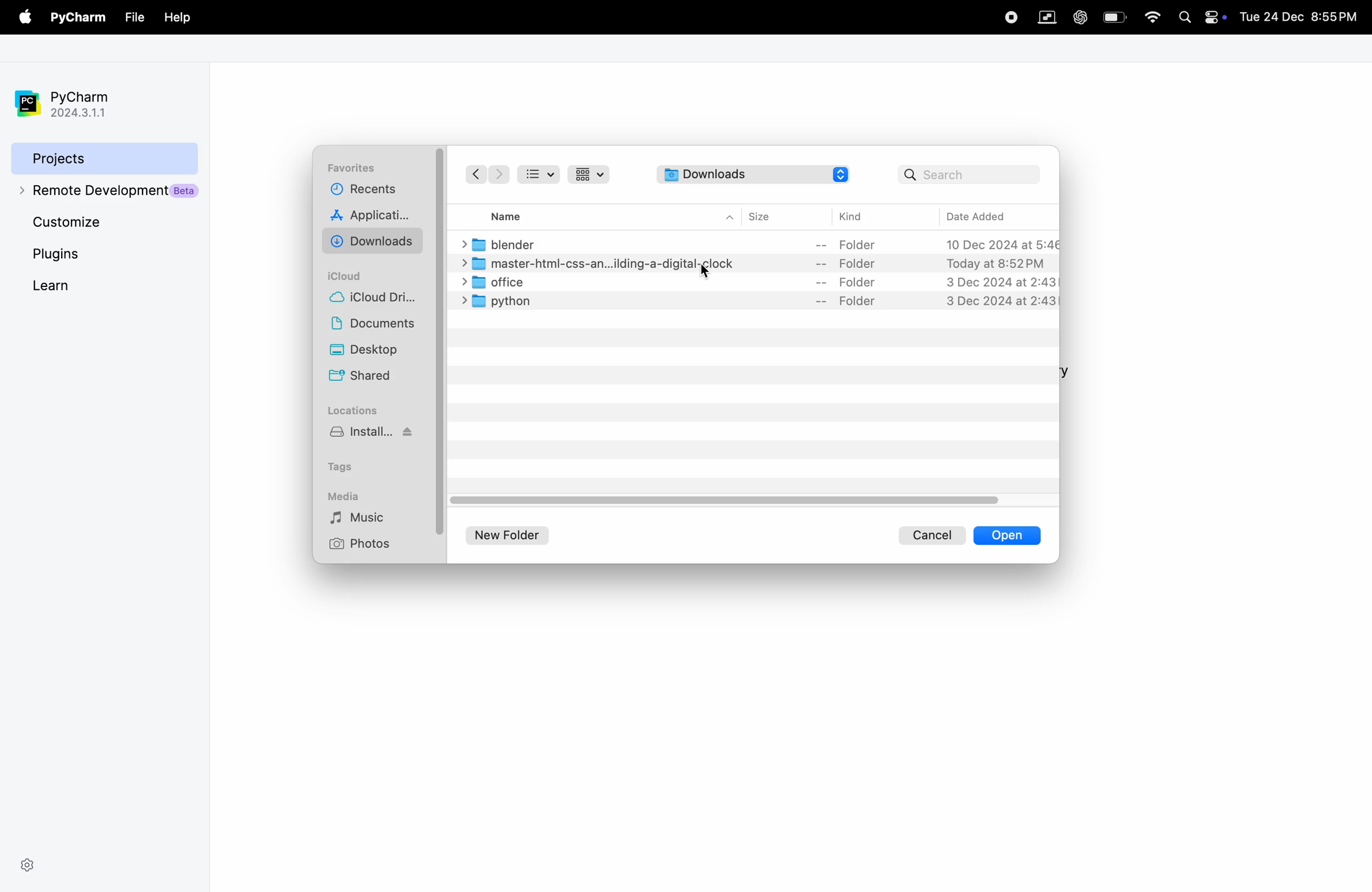 Image resolution: width=1372 pixels, height=892 pixels. What do you see at coordinates (754, 282) in the screenshot?
I see `office` at bounding box center [754, 282].